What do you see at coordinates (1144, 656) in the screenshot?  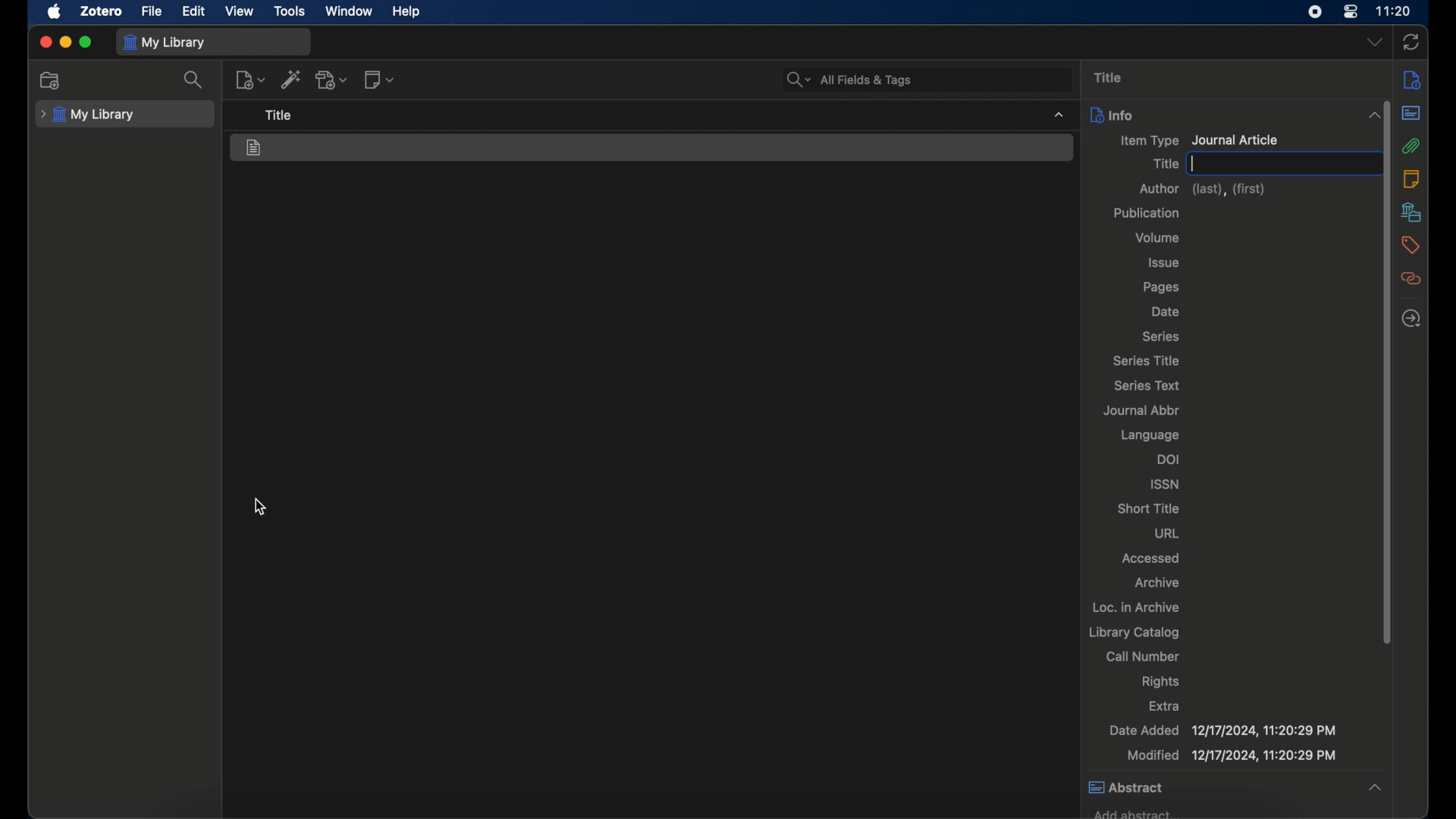 I see `call number` at bounding box center [1144, 656].